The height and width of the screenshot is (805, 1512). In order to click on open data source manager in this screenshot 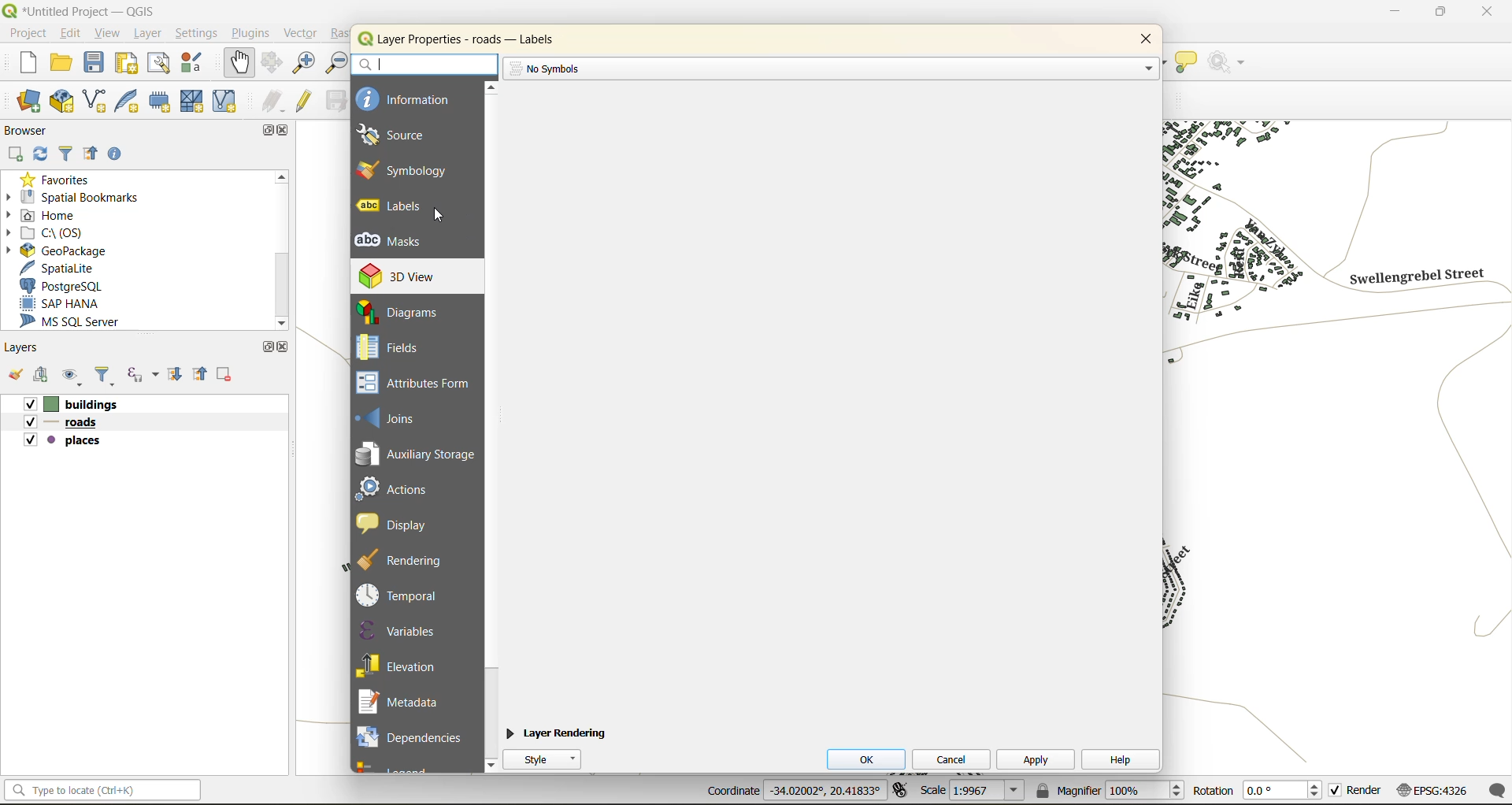, I will do `click(24, 103)`.